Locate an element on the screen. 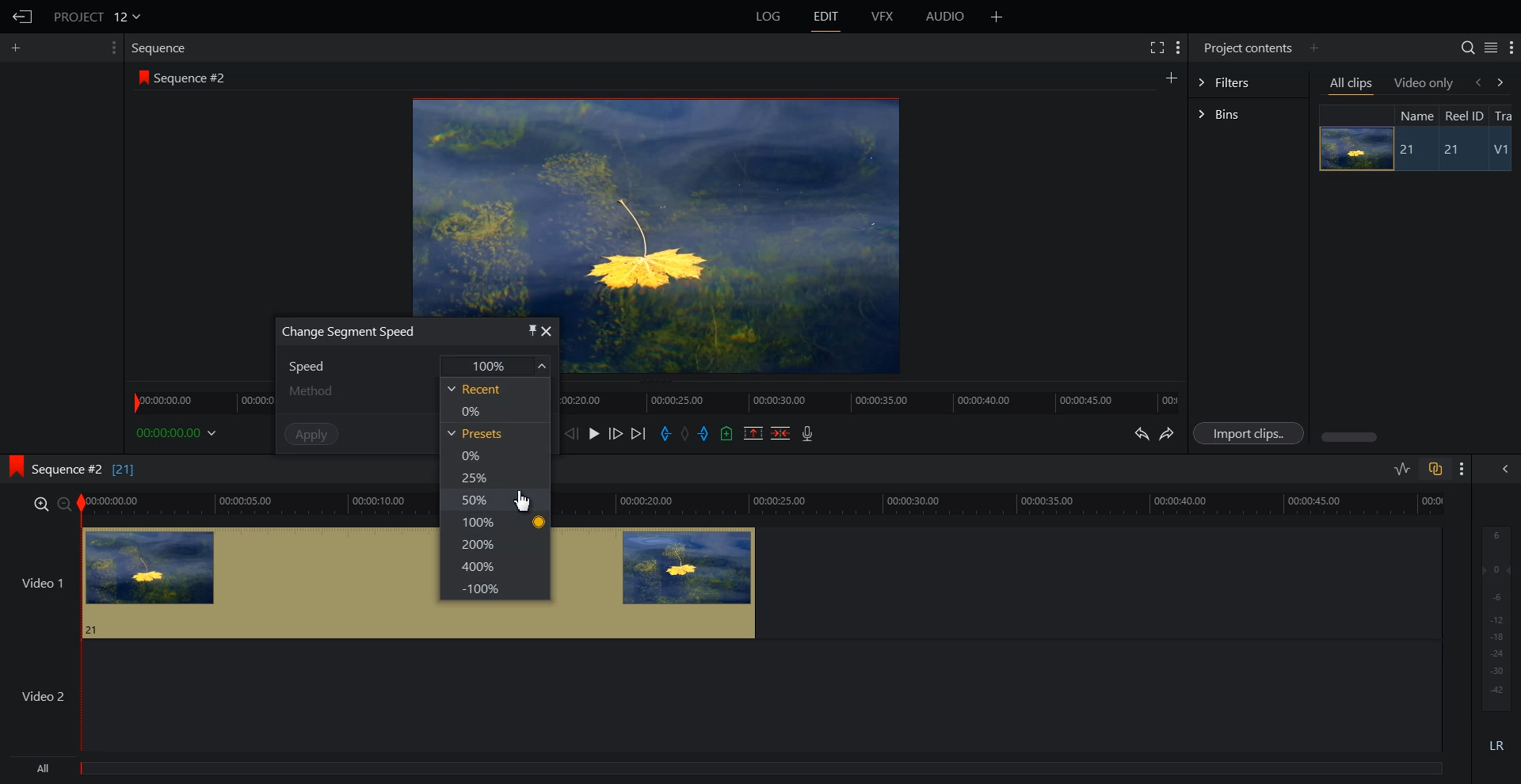 The image size is (1521, 784). Add panel is located at coordinates (1313, 48).